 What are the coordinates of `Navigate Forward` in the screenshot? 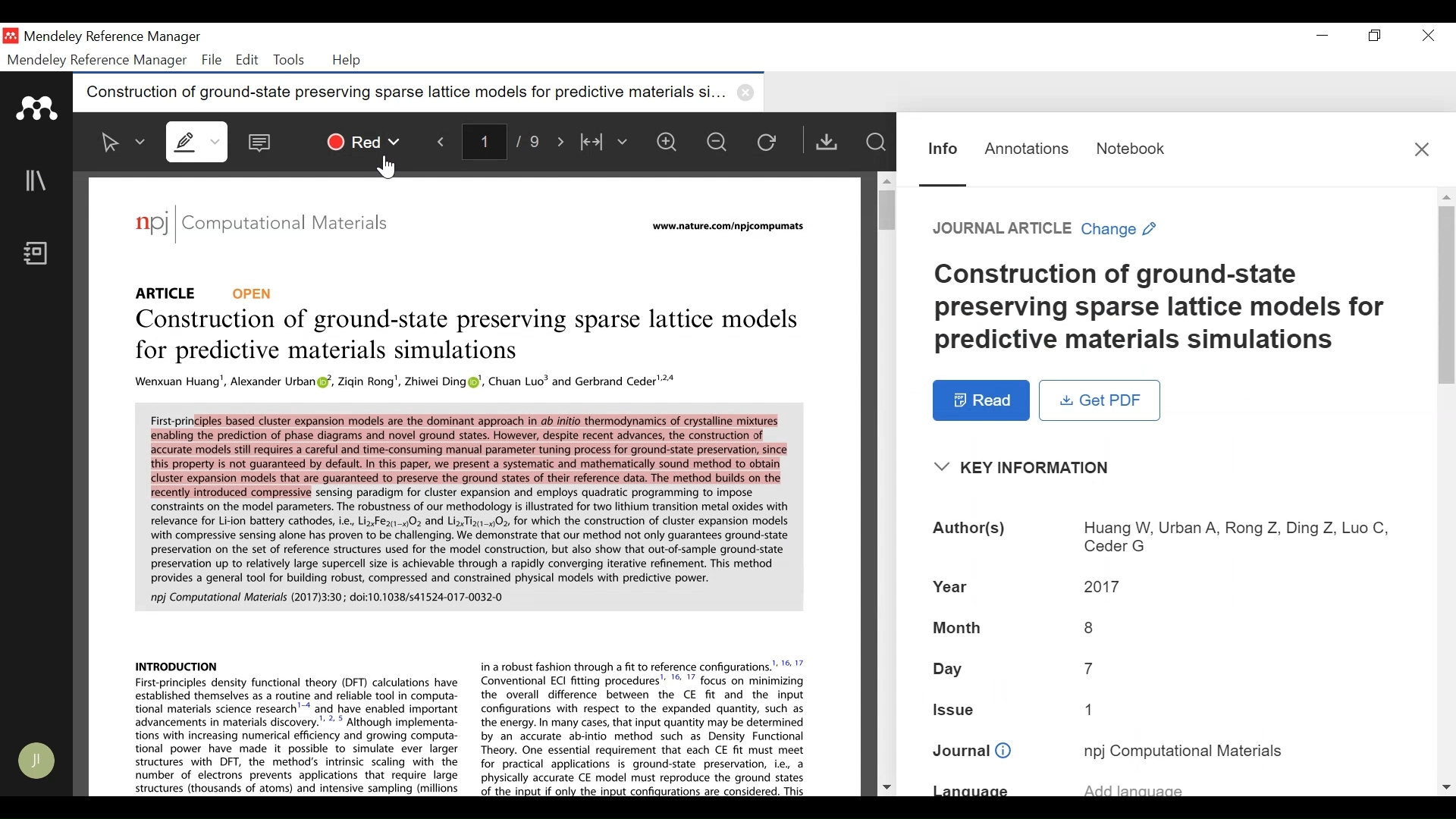 It's located at (560, 142).